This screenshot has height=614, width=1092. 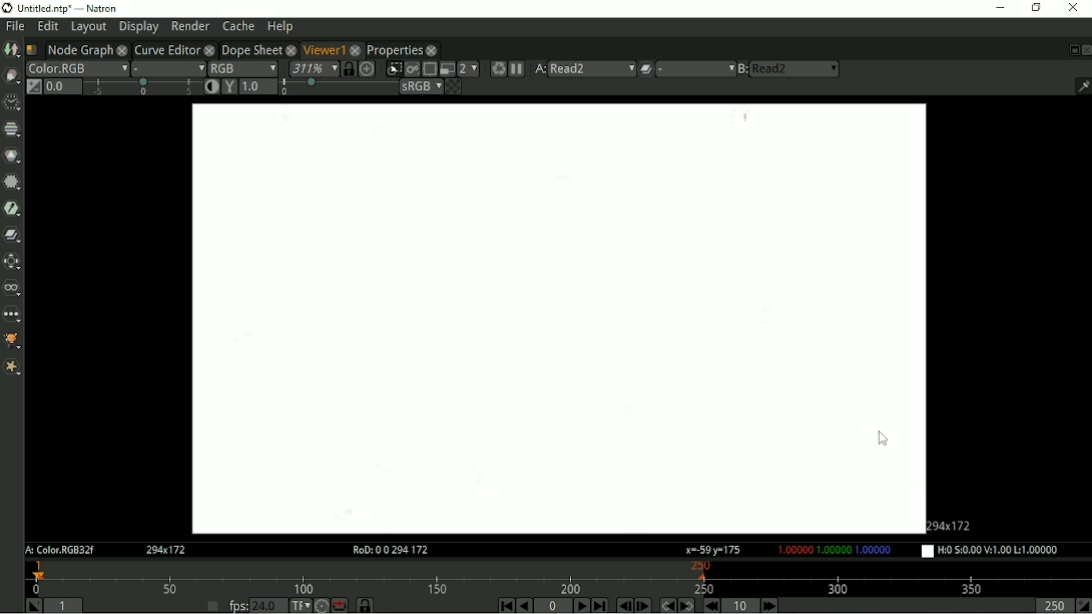 I want to click on B, so click(x=742, y=69).